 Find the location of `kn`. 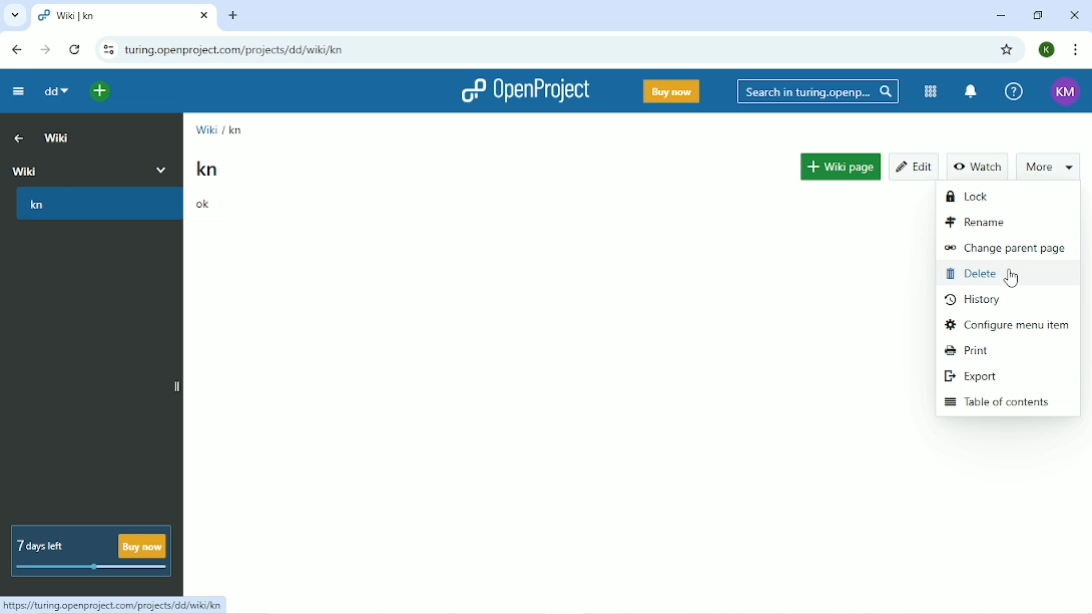

kn is located at coordinates (53, 207).